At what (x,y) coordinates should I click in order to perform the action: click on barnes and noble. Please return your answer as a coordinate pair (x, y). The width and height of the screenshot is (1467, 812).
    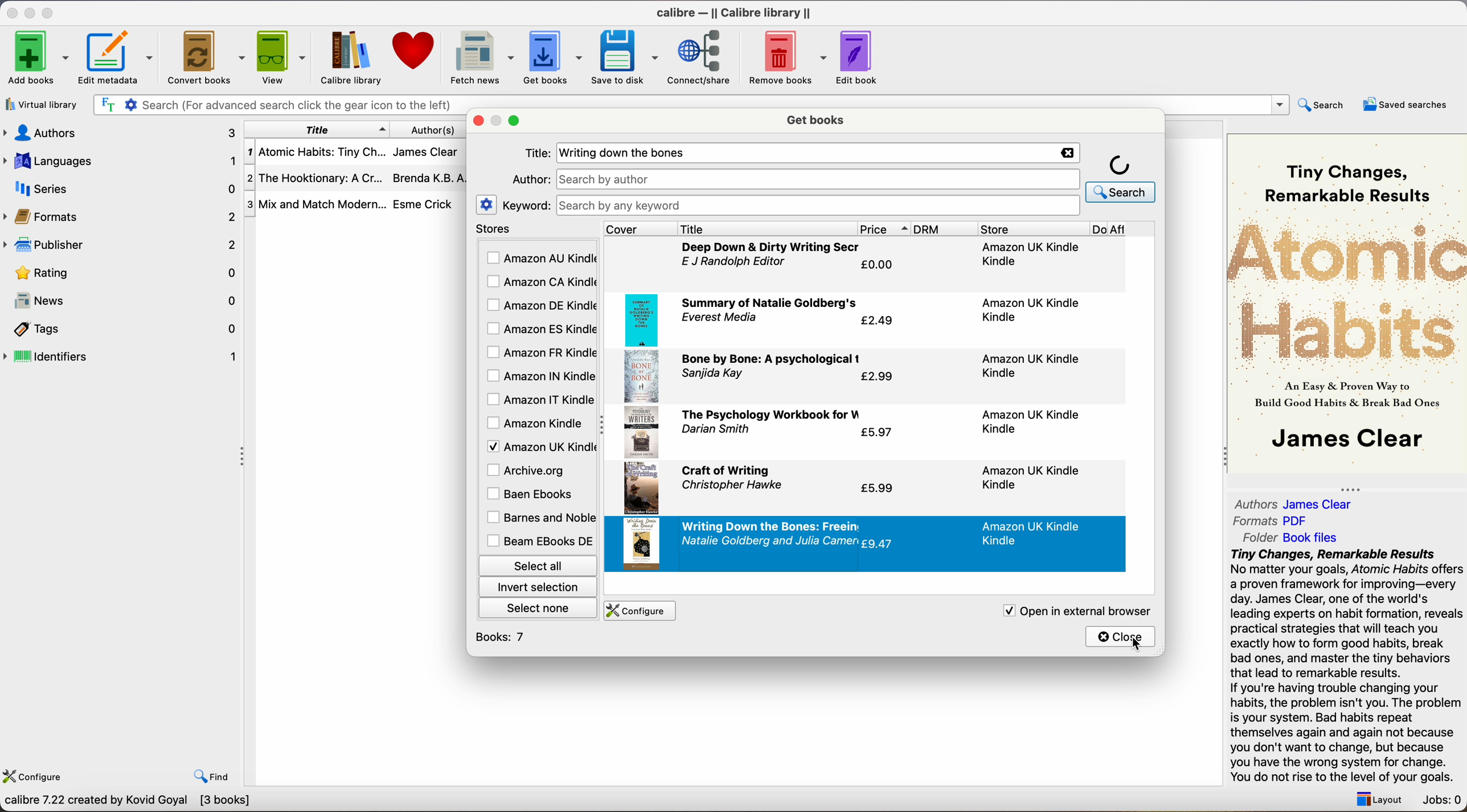
    Looking at the image, I should click on (538, 518).